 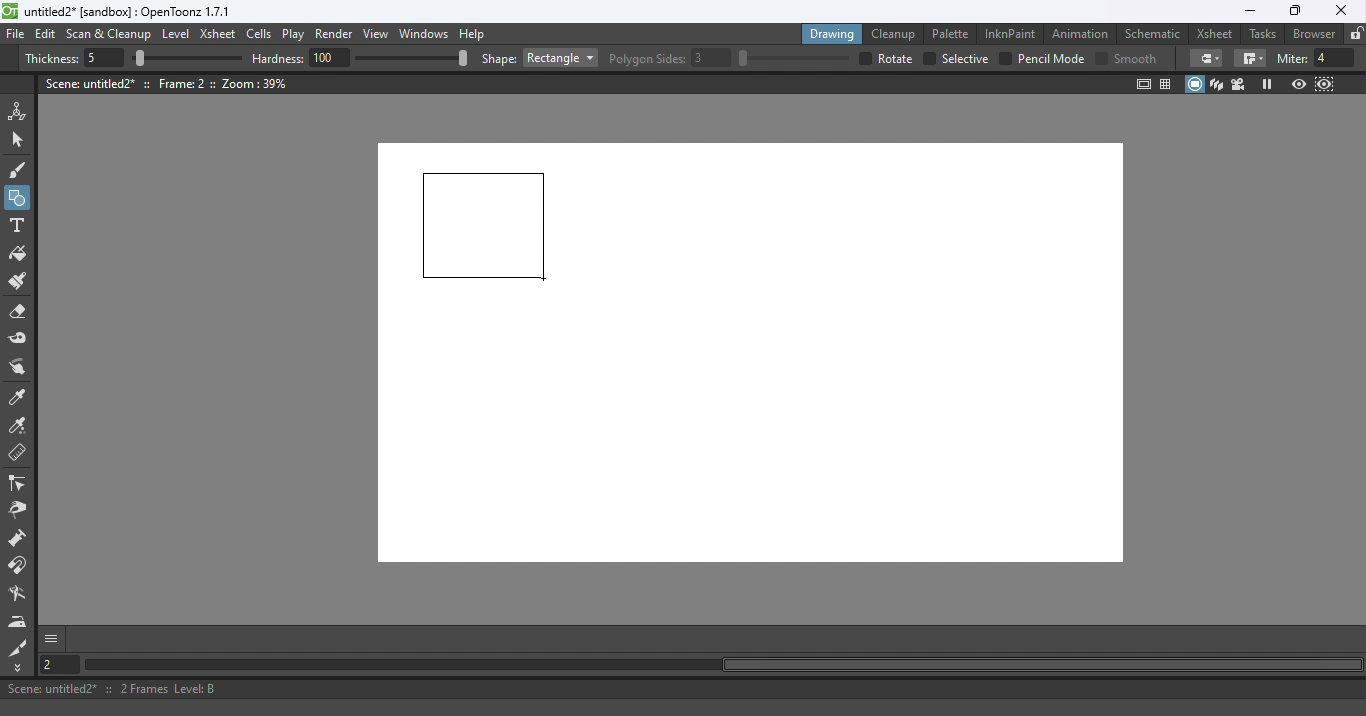 What do you see at coordinates (485, 227) in the screenshot?
I see `Rectangle drawn` at bounding box center [485, 227].